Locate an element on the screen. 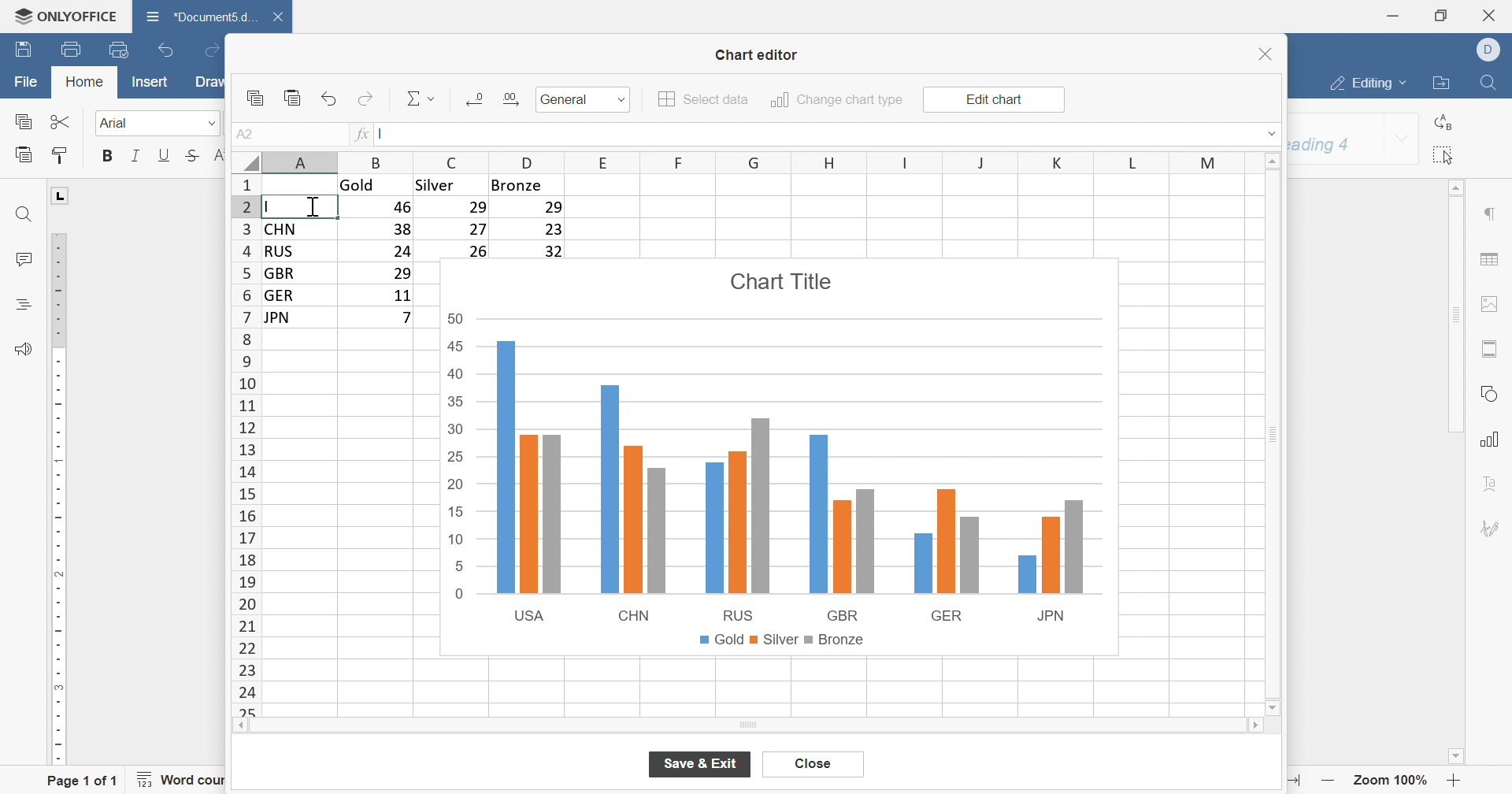  print is located at coordinates (73, 50).